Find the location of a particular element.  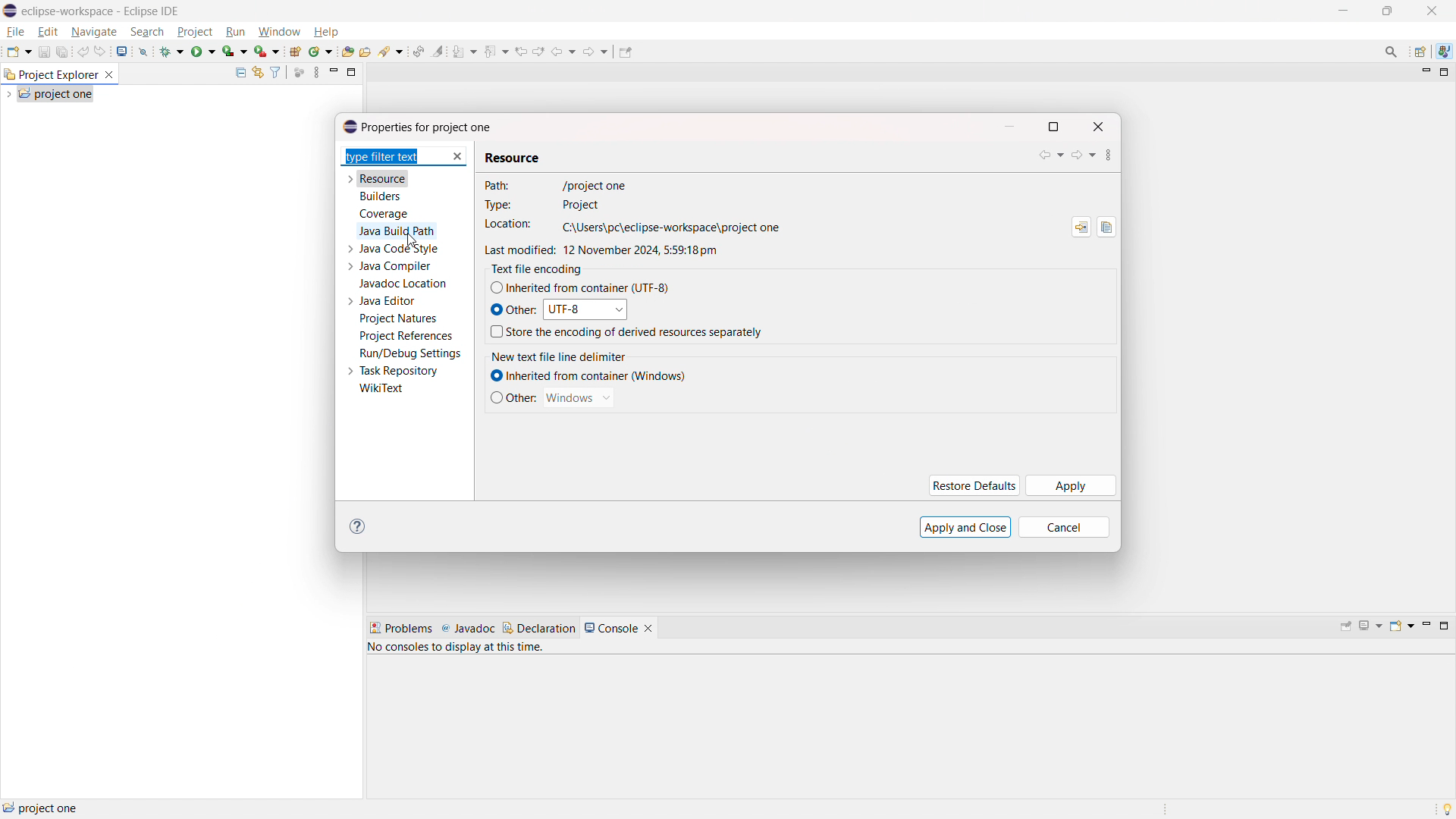

resource is located at coordinates (384, 178).